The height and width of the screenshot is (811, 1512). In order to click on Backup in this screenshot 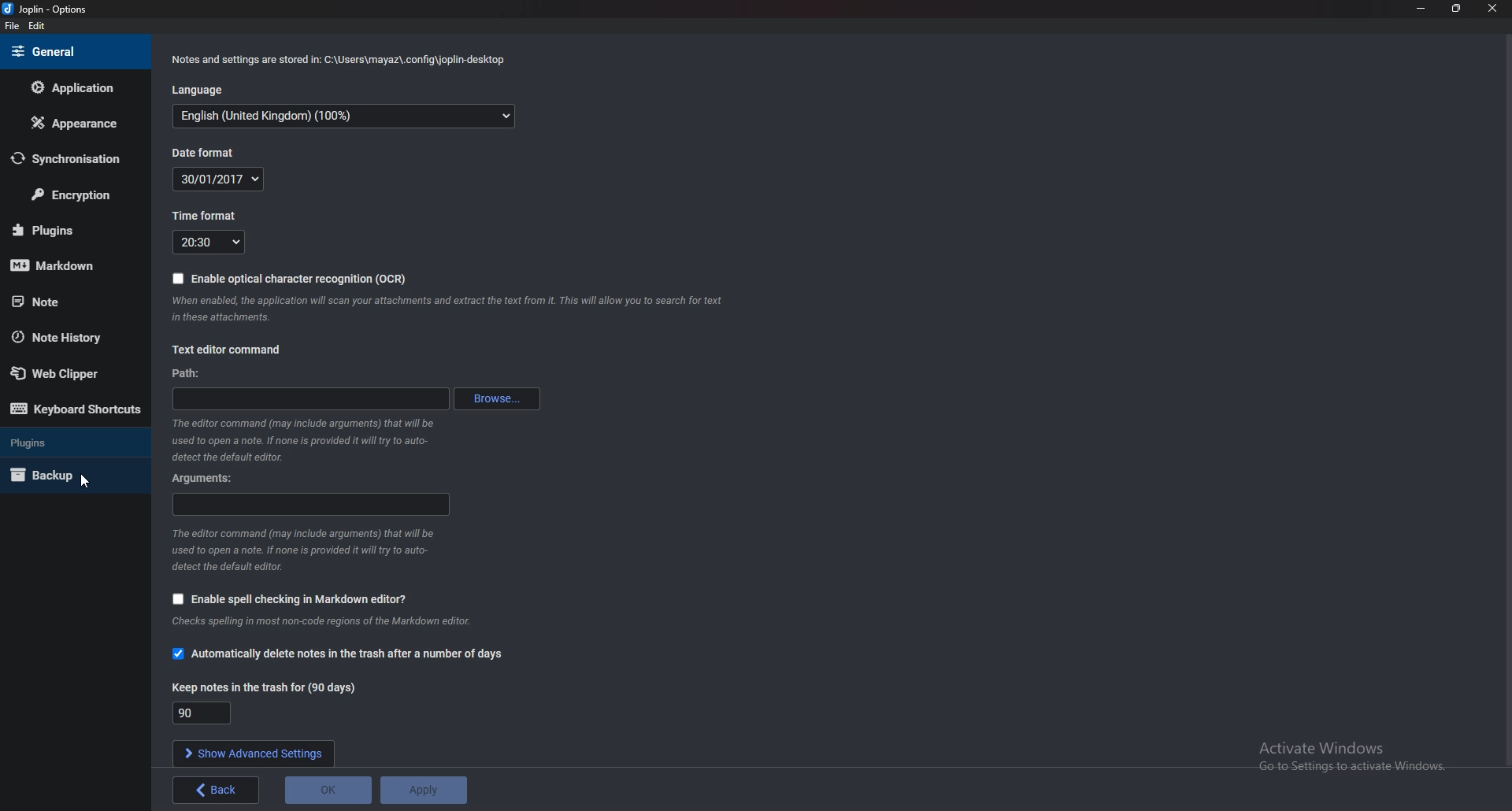, I will do `click(65, 476)`.